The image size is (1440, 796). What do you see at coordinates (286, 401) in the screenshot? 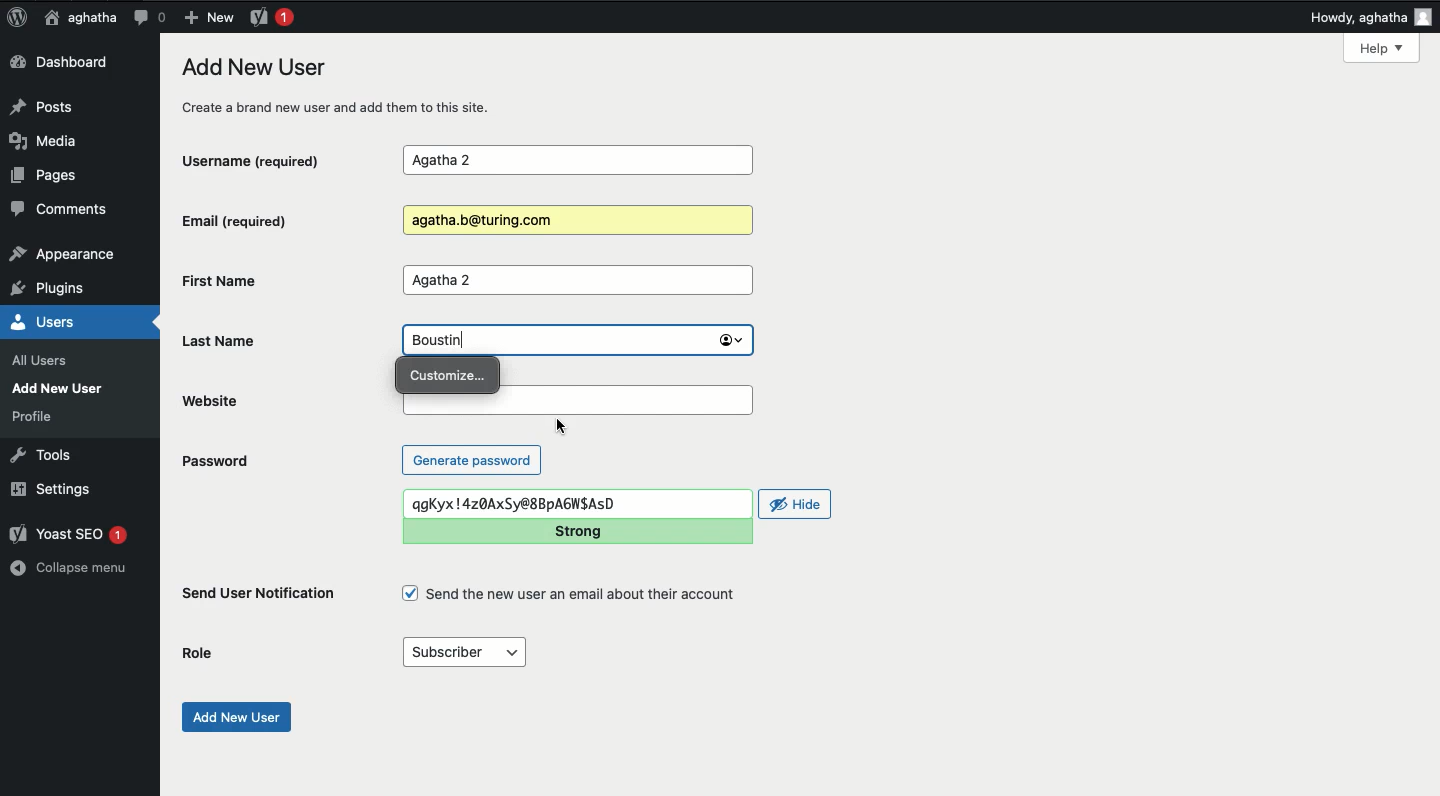
I see `Website` at bounding box center [286, 401].